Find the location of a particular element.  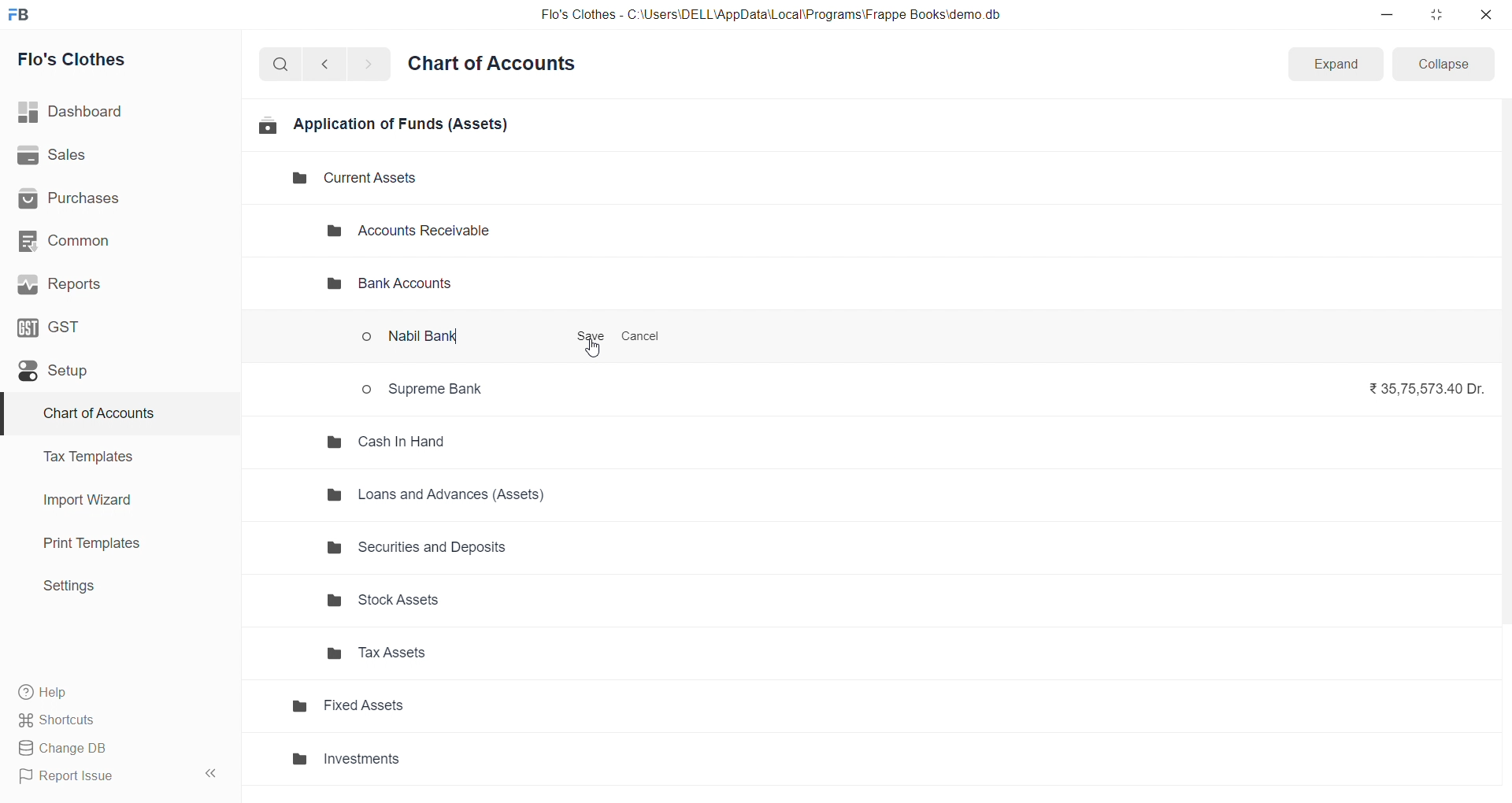

Import Wizard is located at coordinates (112, 500).